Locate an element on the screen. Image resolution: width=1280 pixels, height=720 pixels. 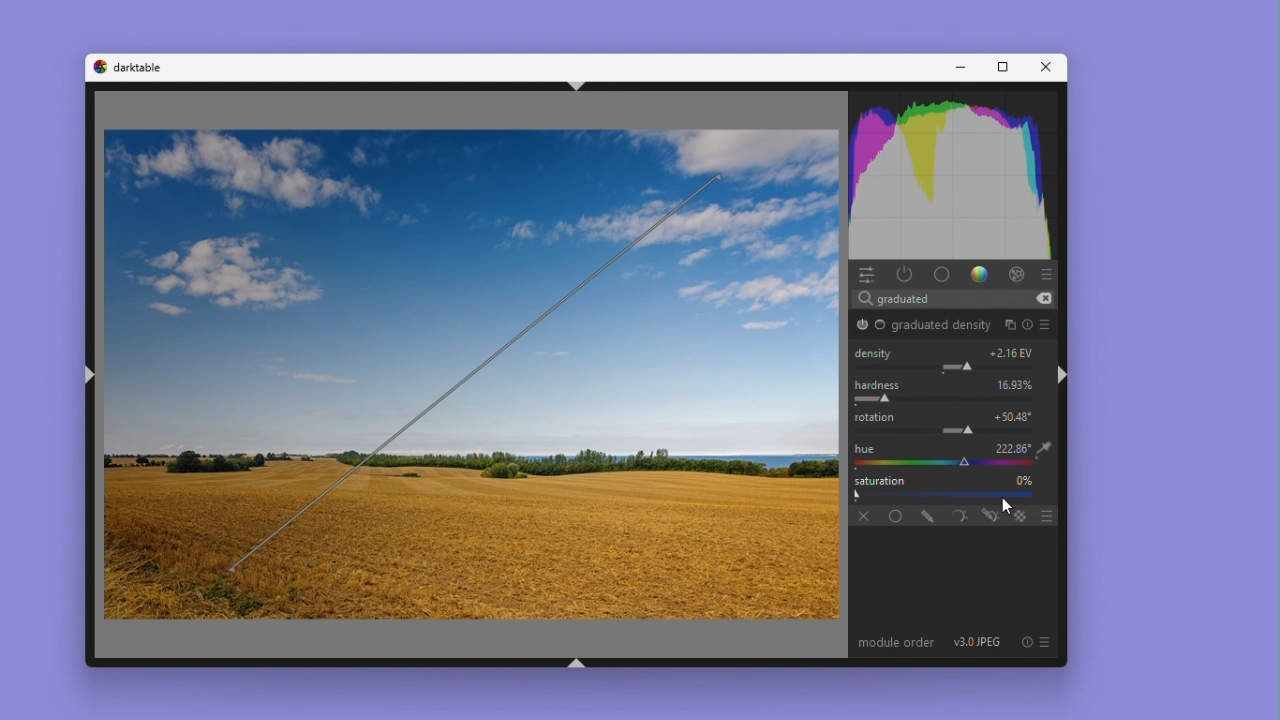
multiple instances is located at coordinates (1009, 323).